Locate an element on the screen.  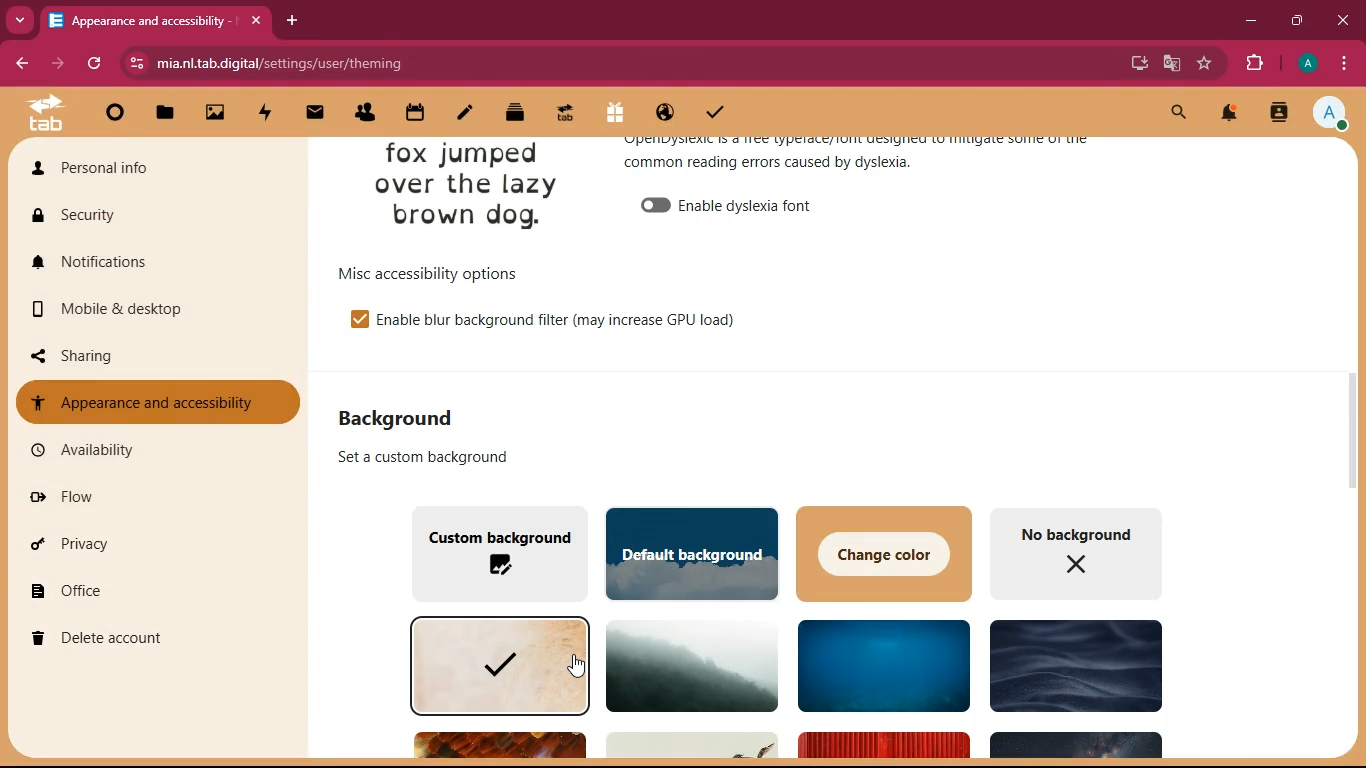
notifications is located at coordinates (145, 260).